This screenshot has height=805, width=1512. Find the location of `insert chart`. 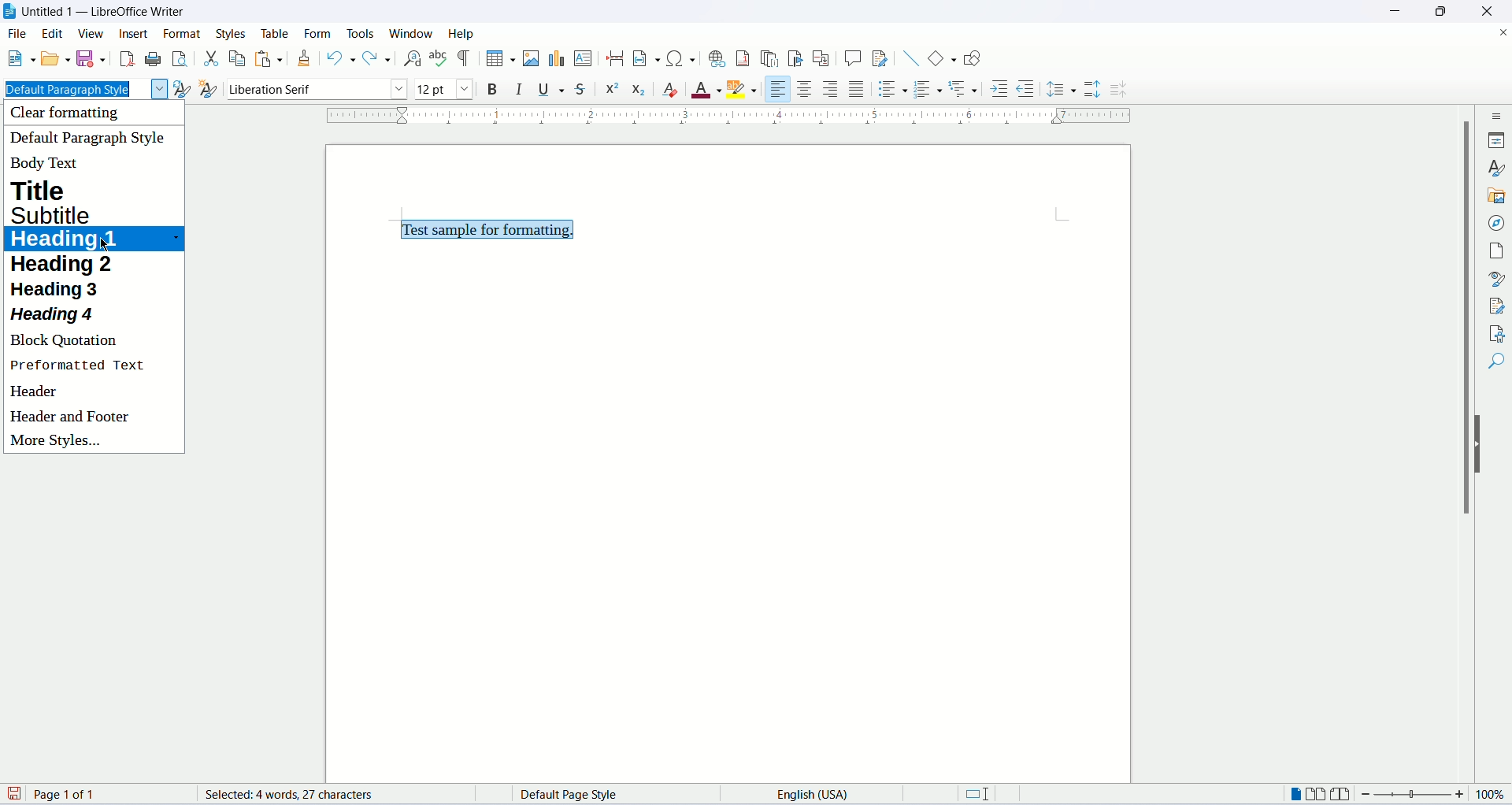

insert chart is located at coordinates (555, 59).